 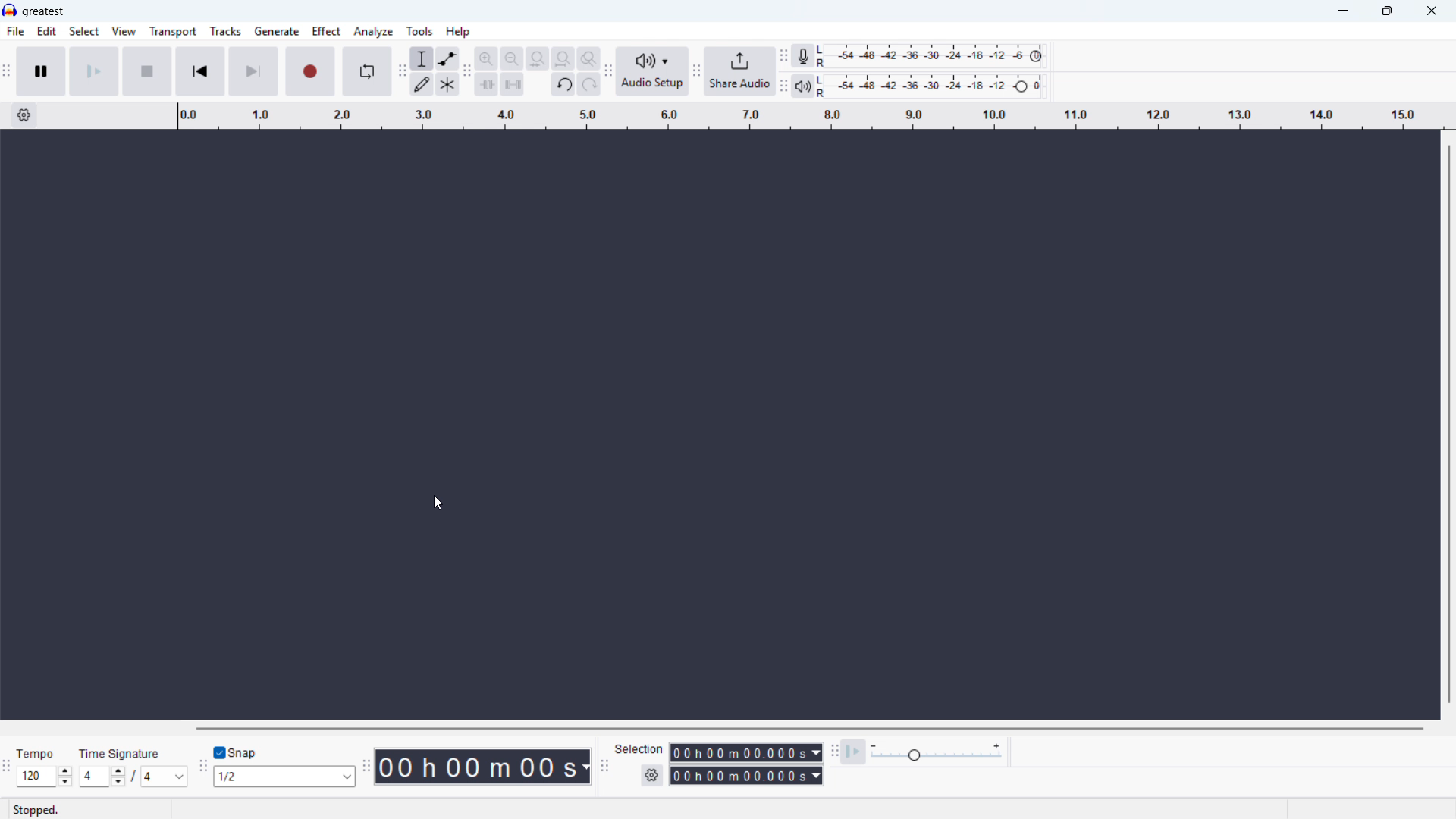 What do you see at coordinates (803, 86) in the screenshot?
I see `Playback metre ` at bounding box center [803, 86].